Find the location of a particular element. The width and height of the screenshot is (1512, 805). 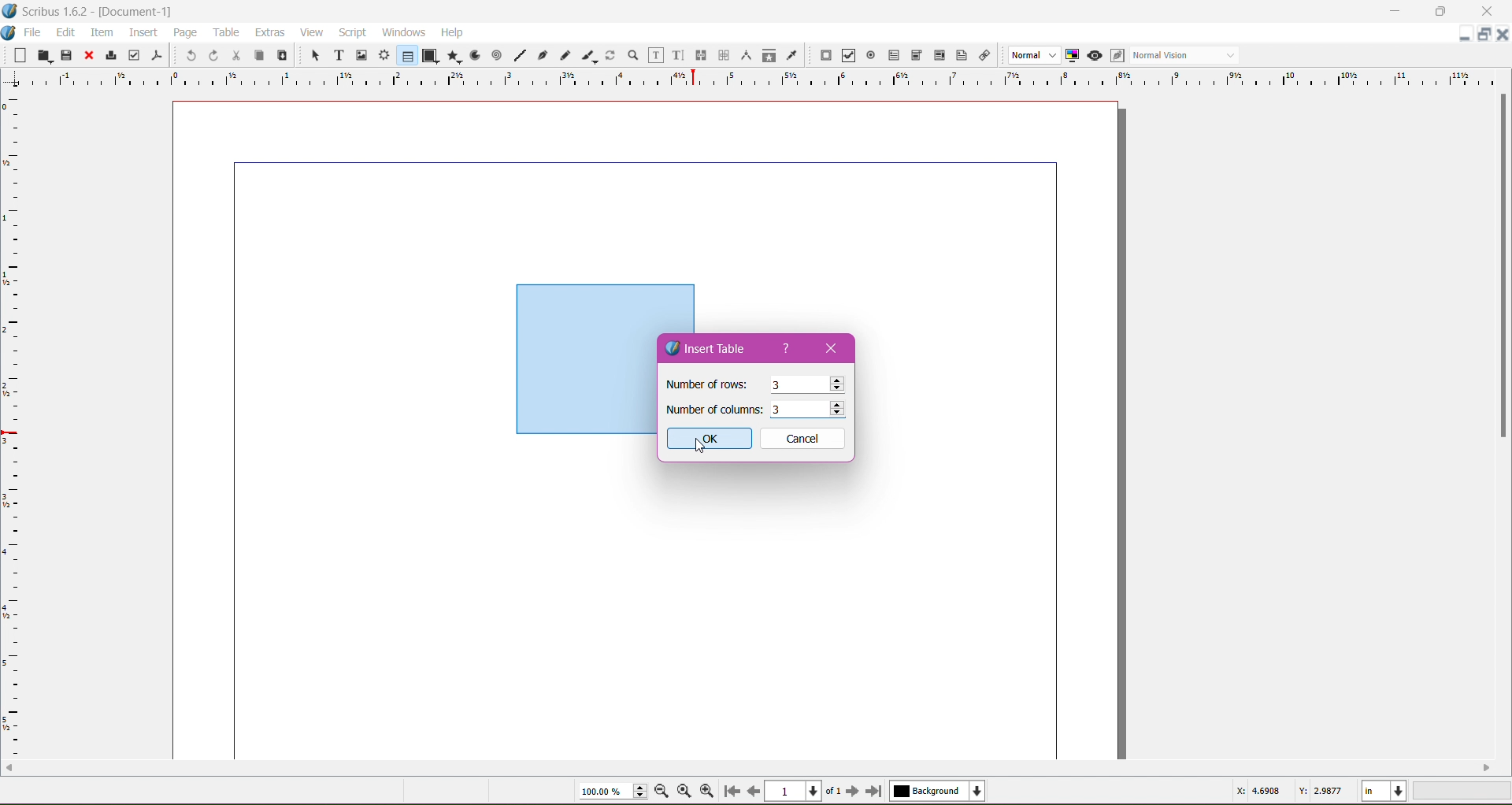

Copy is located at coordinates (257, 54).